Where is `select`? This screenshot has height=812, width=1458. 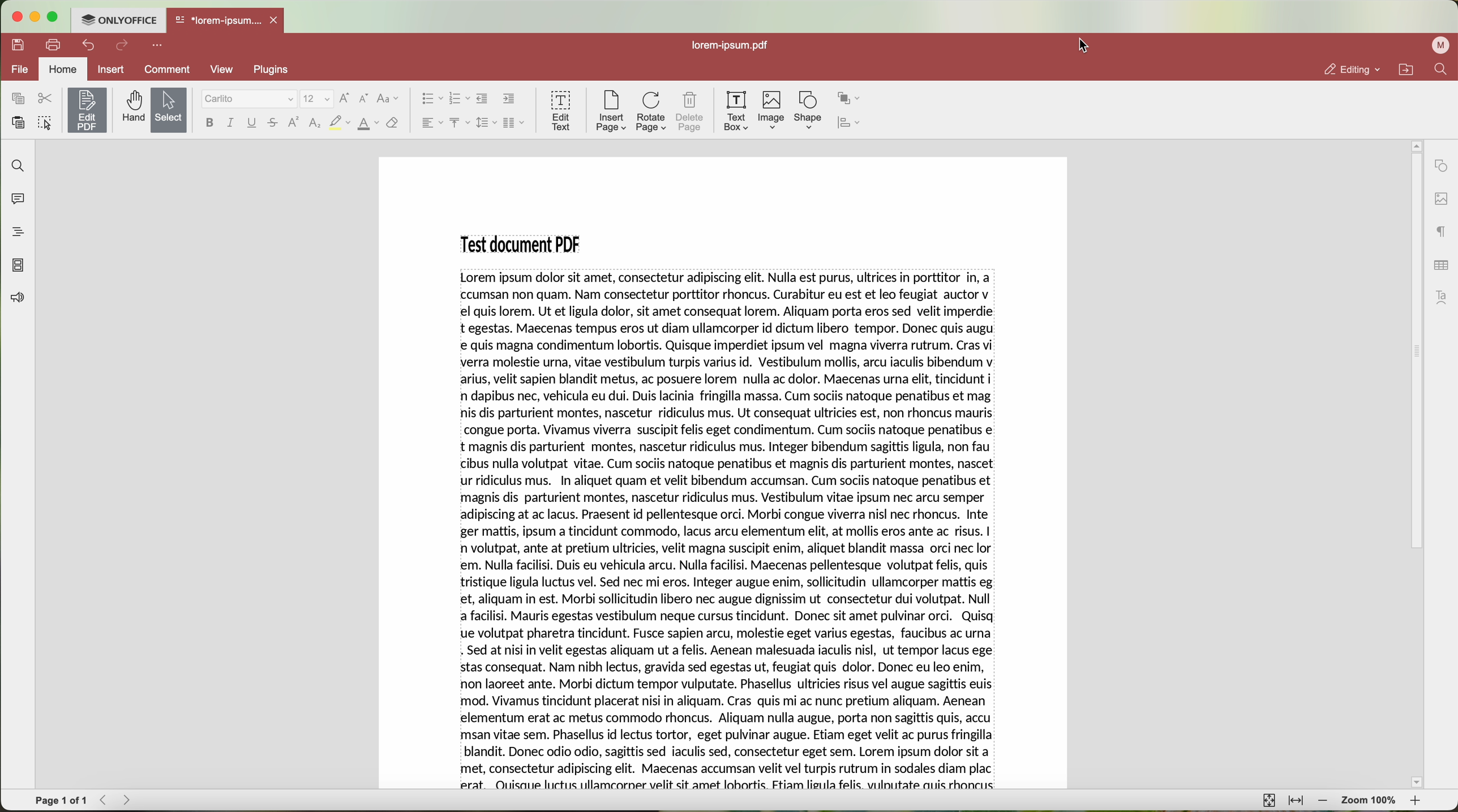 select is located at coordinates (168, 110).